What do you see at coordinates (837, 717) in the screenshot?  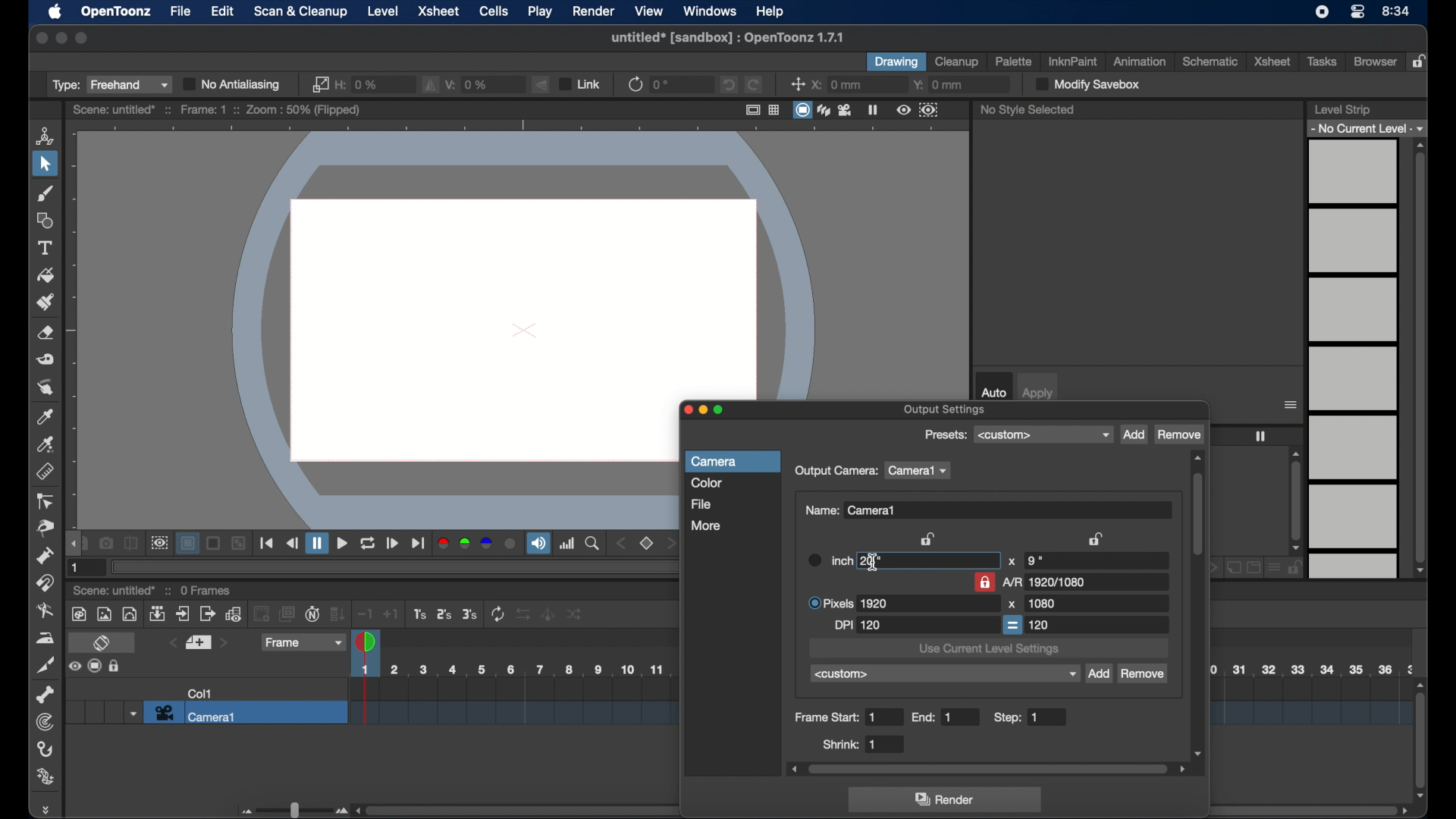 I see `frame start` at bounding box center [837, 717].